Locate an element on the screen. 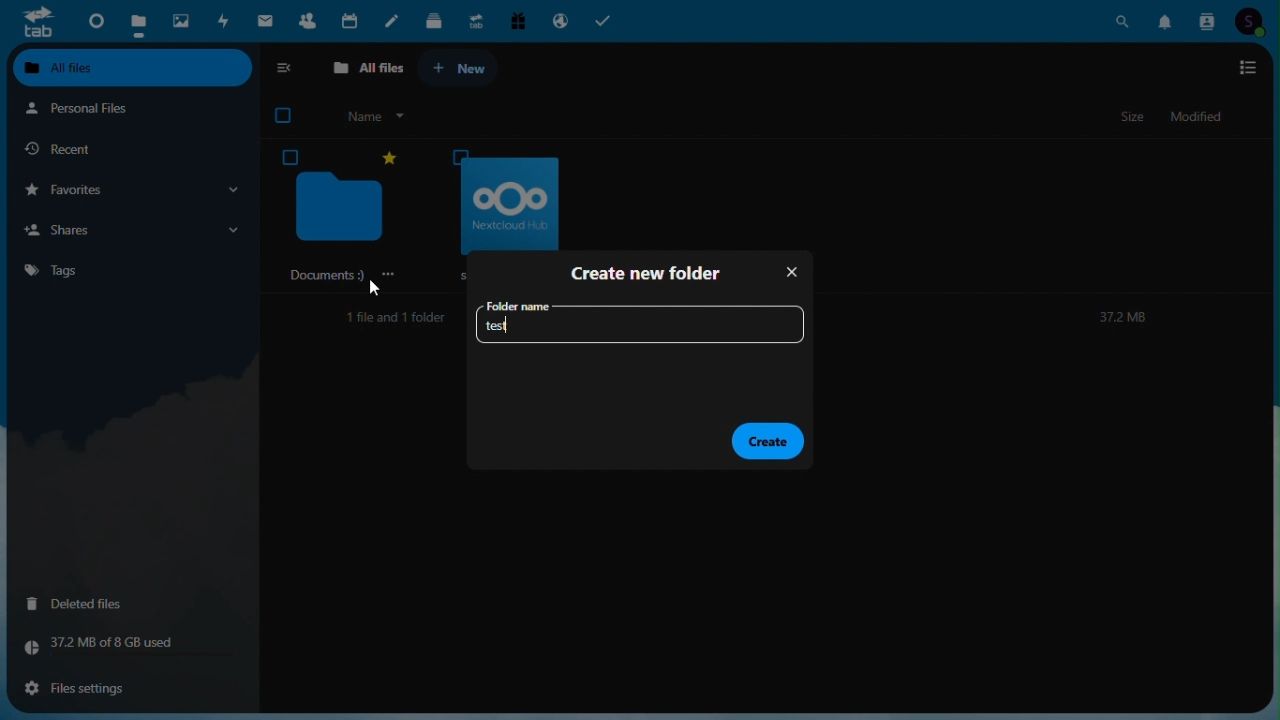 This screenshot has width=1280, height=720. + New is located at coordinates (468, 71).